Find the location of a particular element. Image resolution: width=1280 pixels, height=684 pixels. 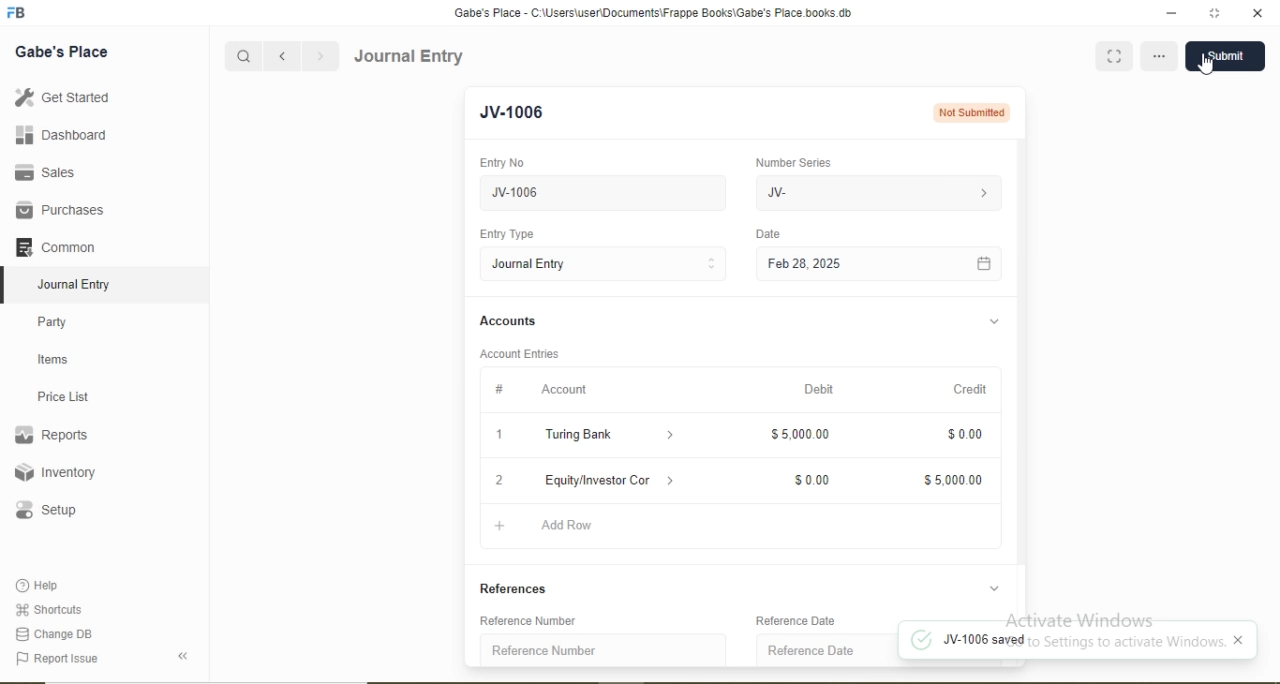

More Options is located at coordinates (1162, 56).